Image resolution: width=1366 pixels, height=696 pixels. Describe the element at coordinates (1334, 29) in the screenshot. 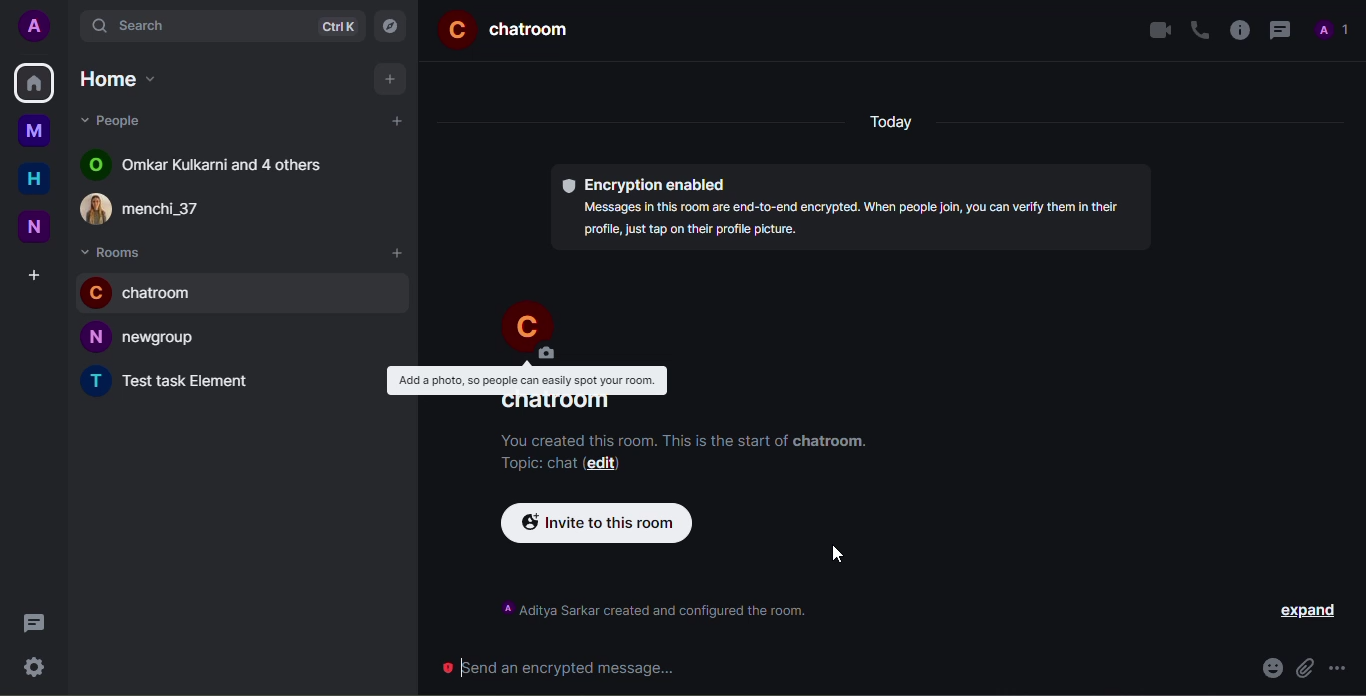

I see `people` at that location.